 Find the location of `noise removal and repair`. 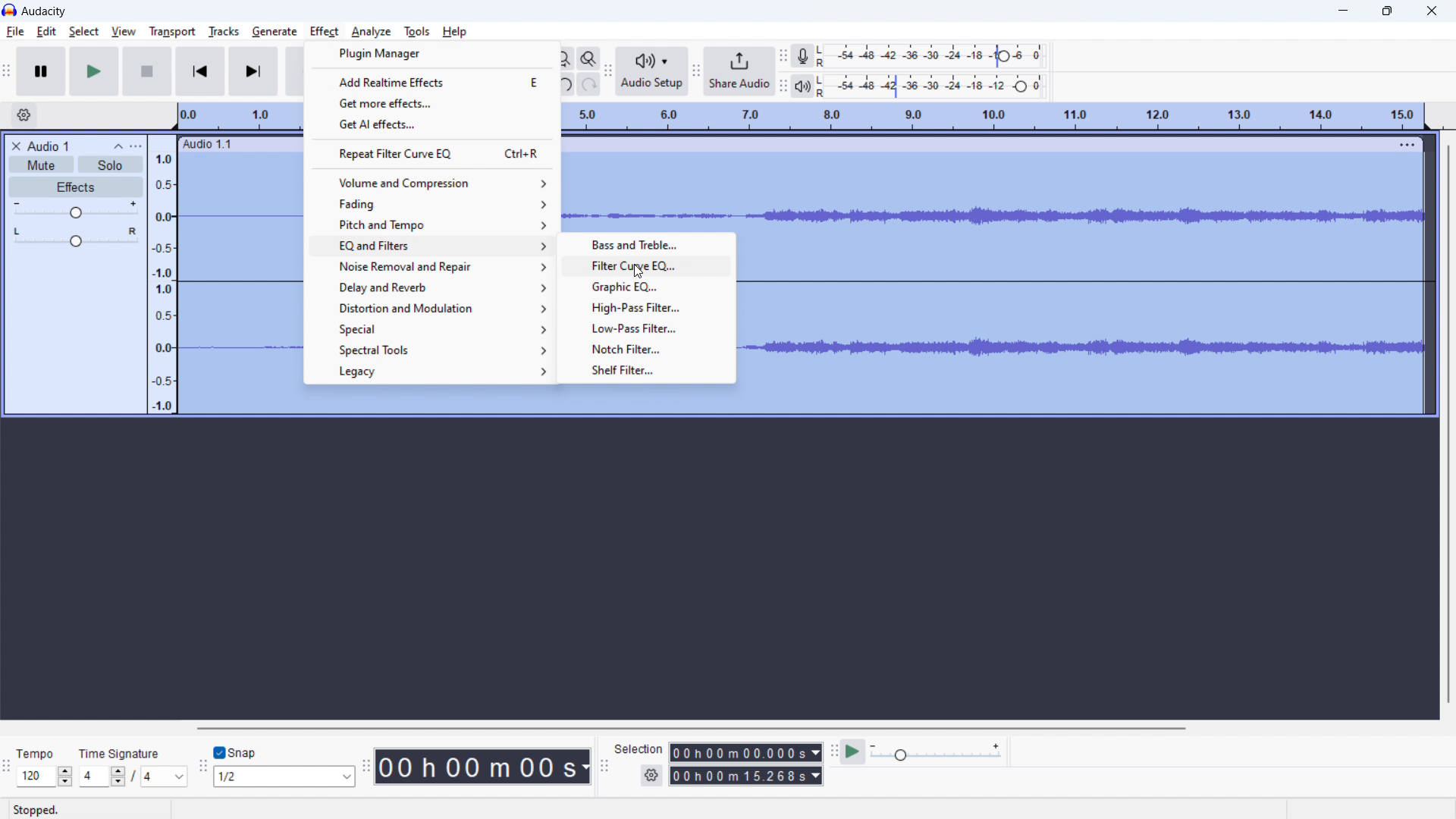

noise removal and repair is located at coordinates (429, 266).